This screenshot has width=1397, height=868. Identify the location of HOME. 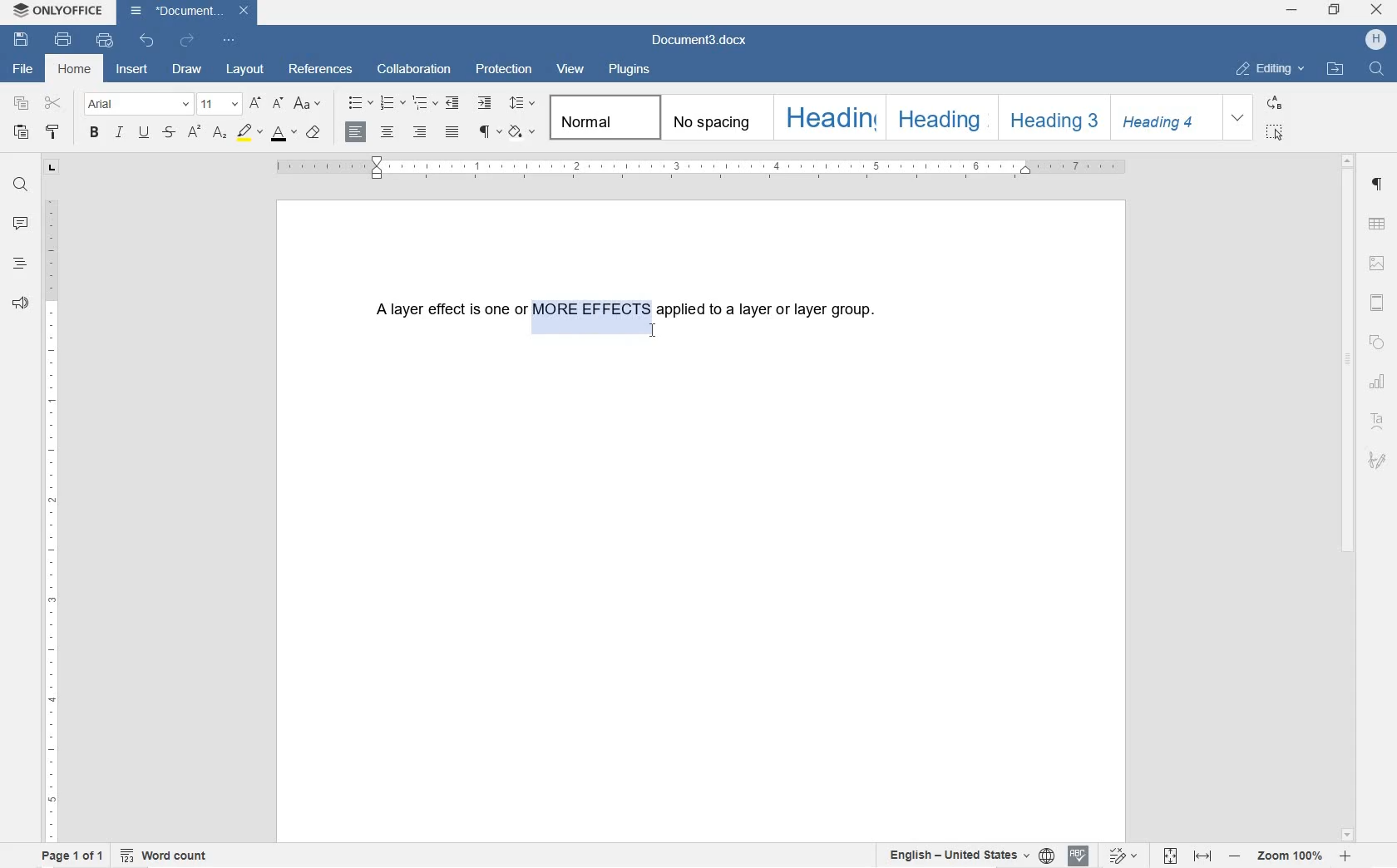
(77, 70).